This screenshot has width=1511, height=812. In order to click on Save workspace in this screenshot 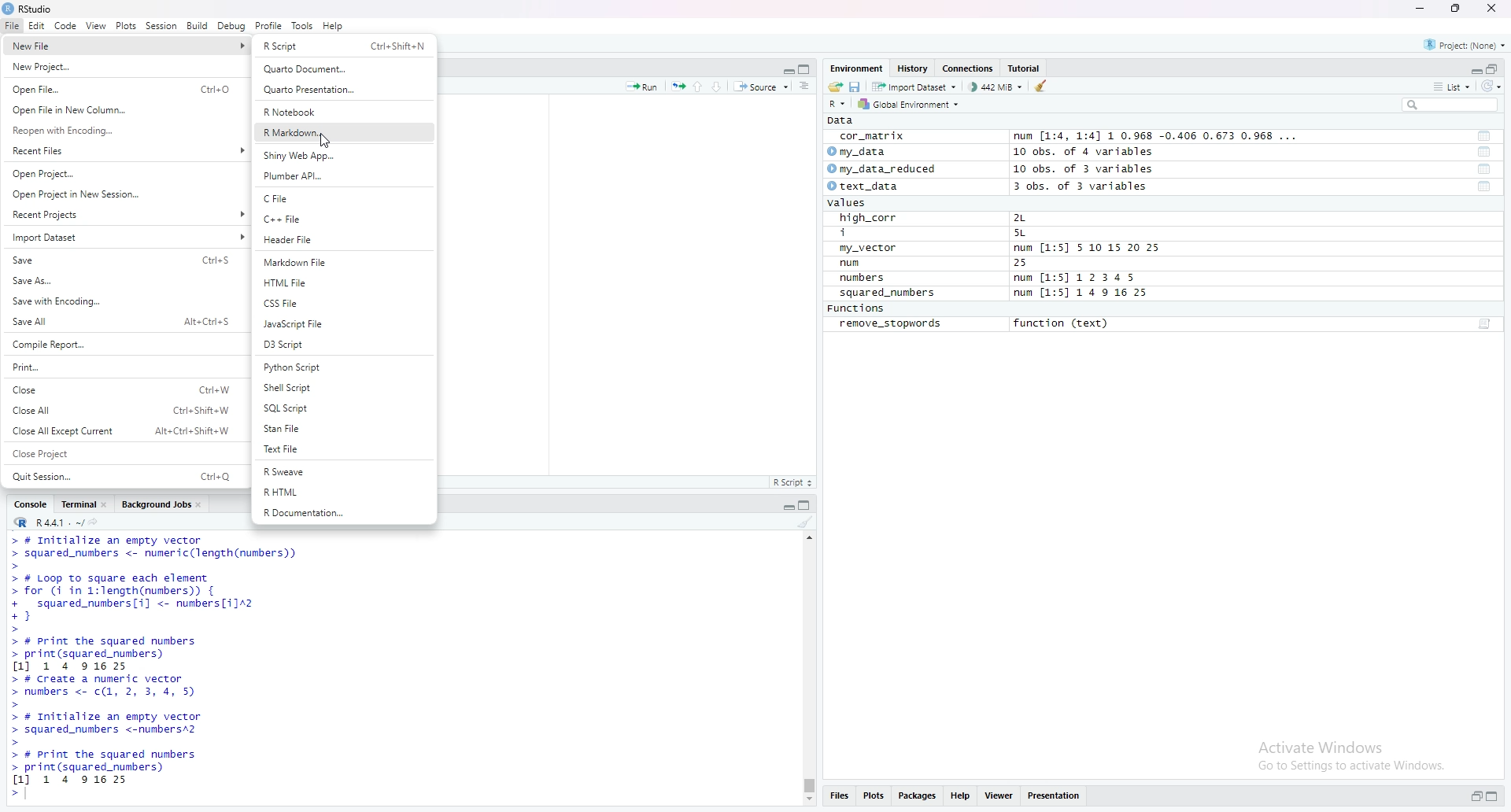, I will do `click(855, 87)`.